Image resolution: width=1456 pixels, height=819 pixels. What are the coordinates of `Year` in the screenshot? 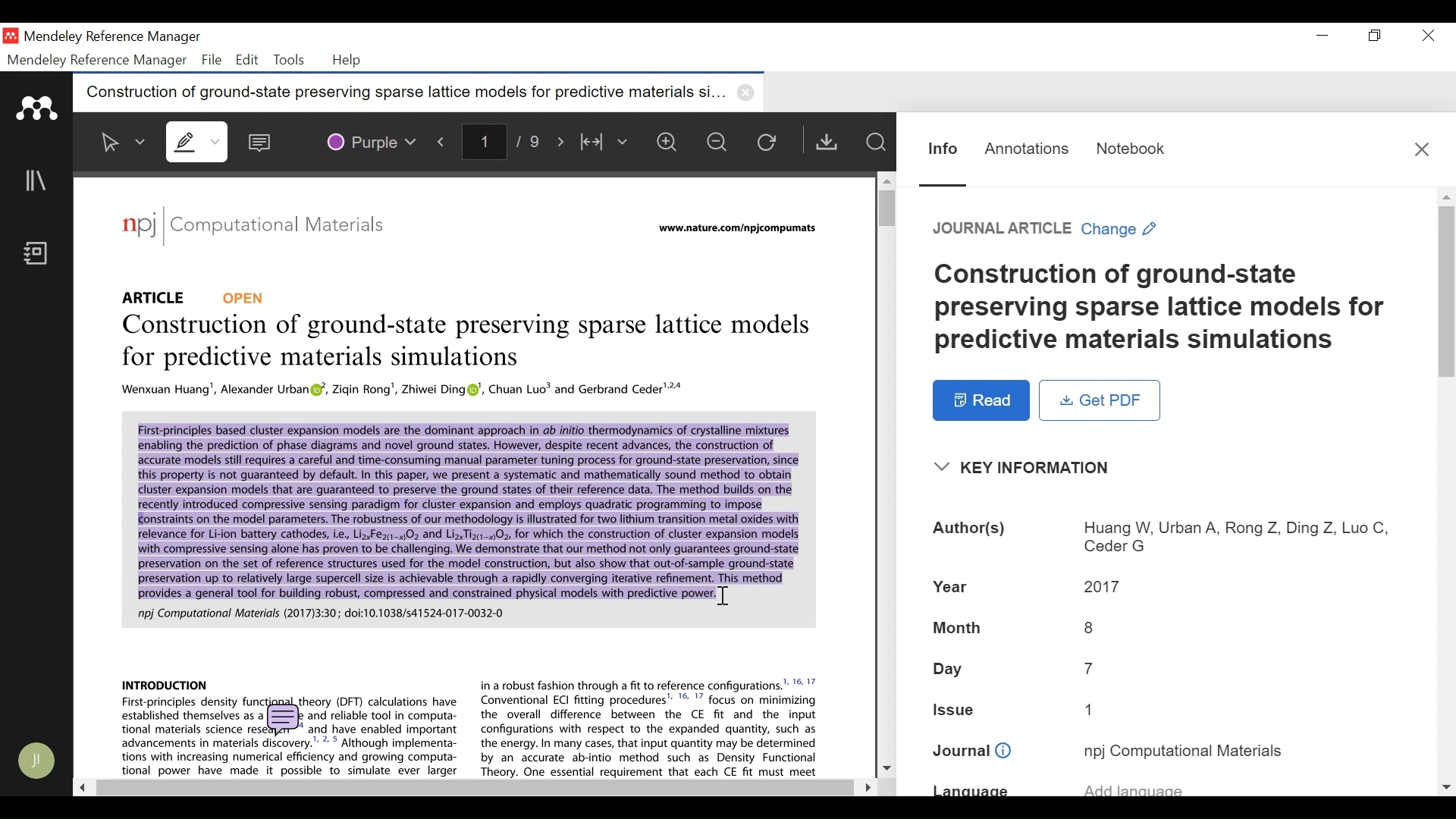 It's located at (953, 585).